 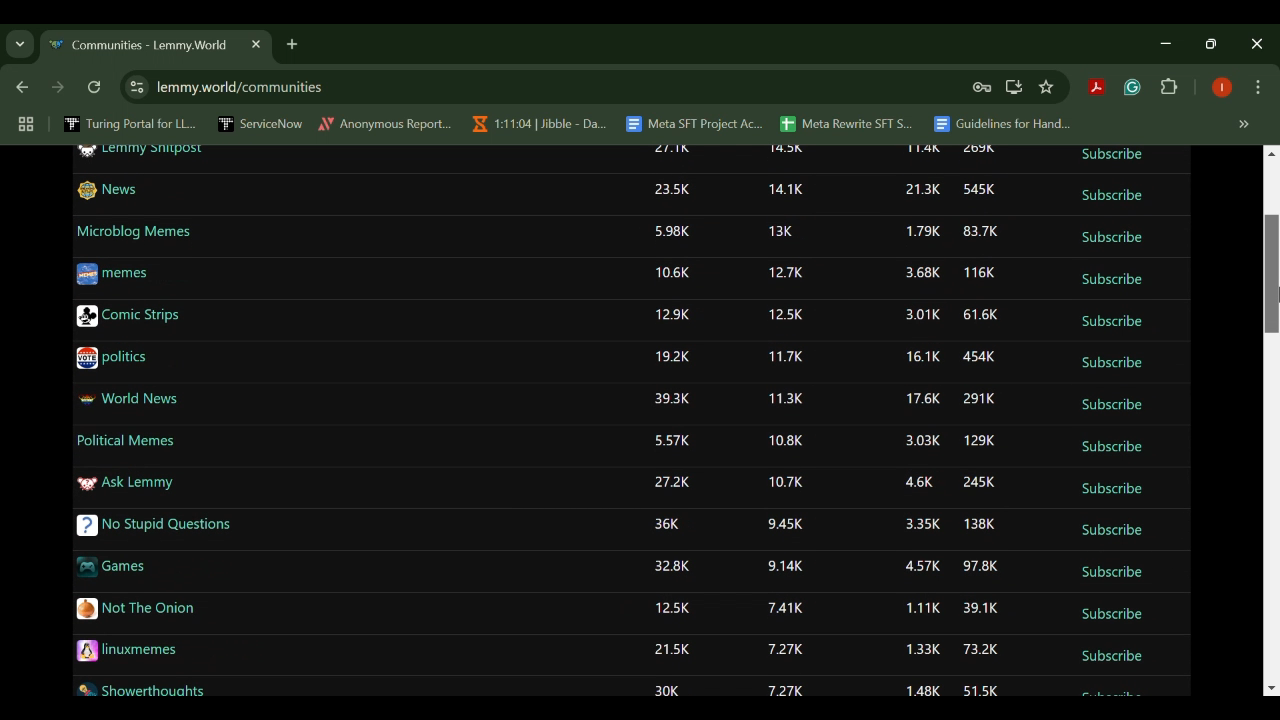 What do you see at coordinates (1114, 490) in the screenshot?
I see `Subscribe` at bounding box center [1114, 490].